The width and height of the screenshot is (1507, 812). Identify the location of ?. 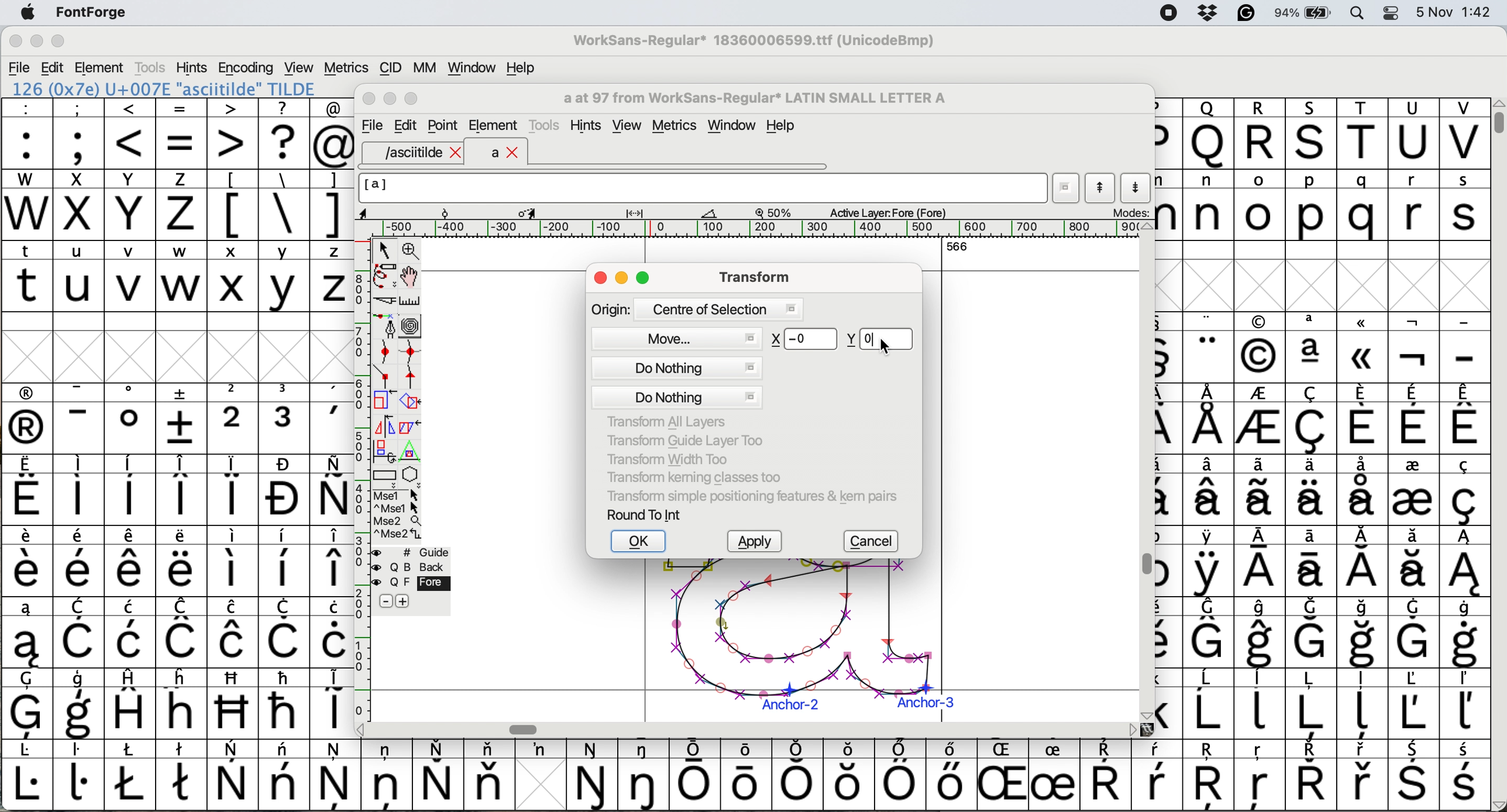
(284, 133).